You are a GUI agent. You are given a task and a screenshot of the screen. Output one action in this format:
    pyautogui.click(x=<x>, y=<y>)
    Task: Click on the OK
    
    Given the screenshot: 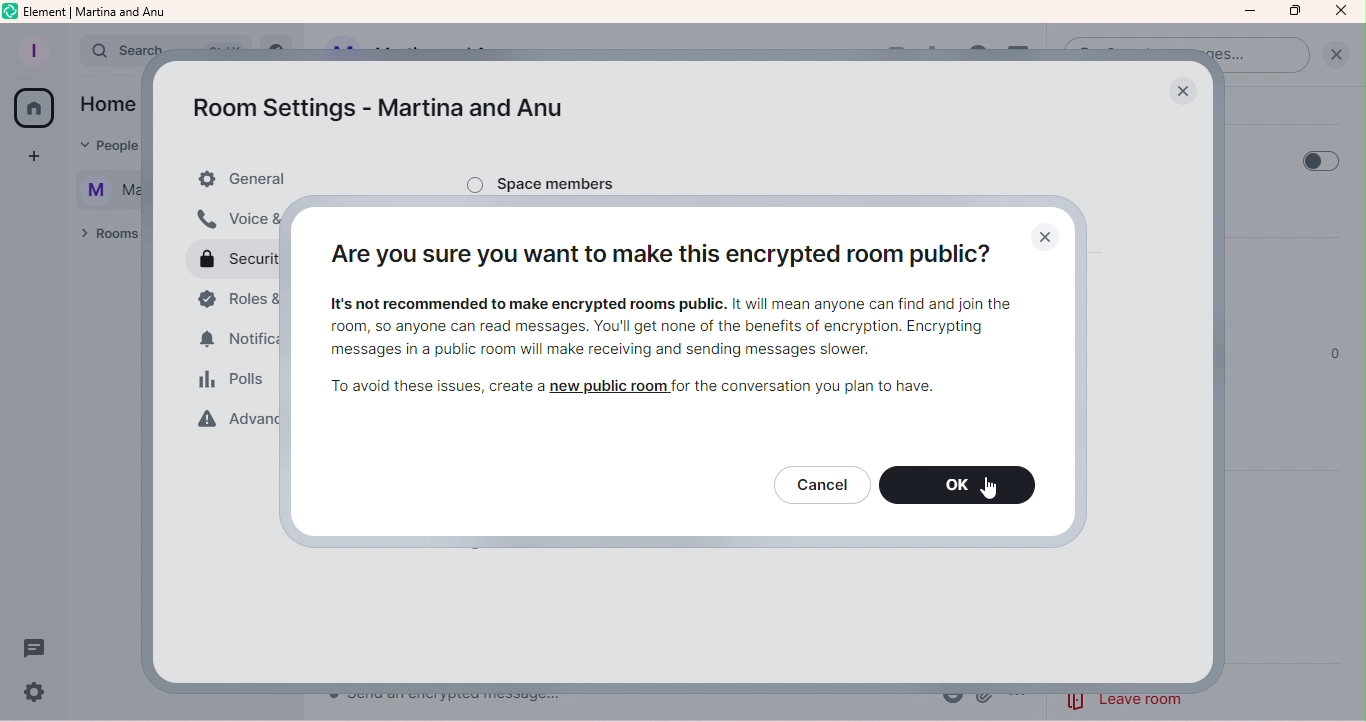 What is the action you would take?
    pyautogui.click(x=970, y=487)
    